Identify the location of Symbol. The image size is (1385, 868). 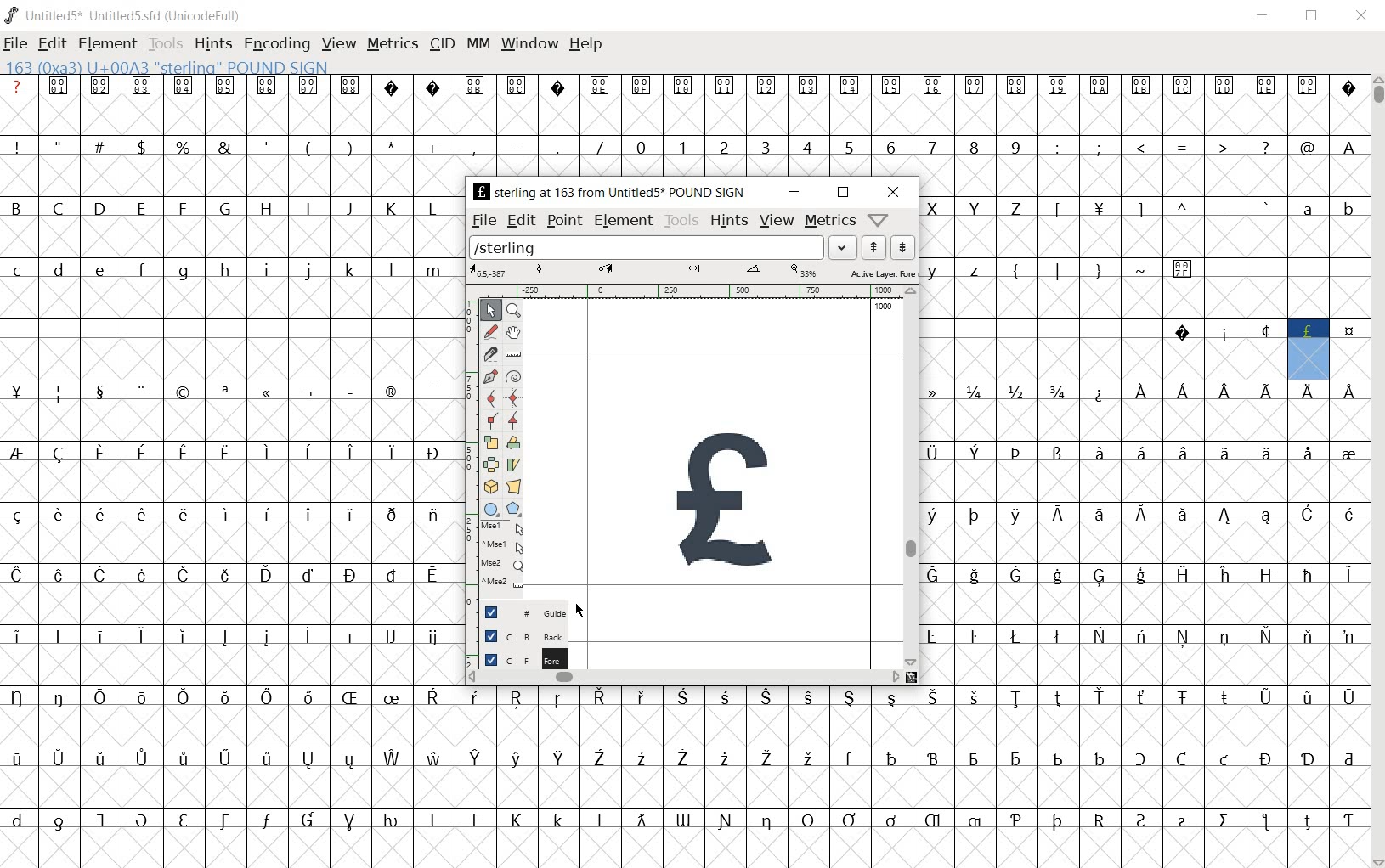
(974, 85).